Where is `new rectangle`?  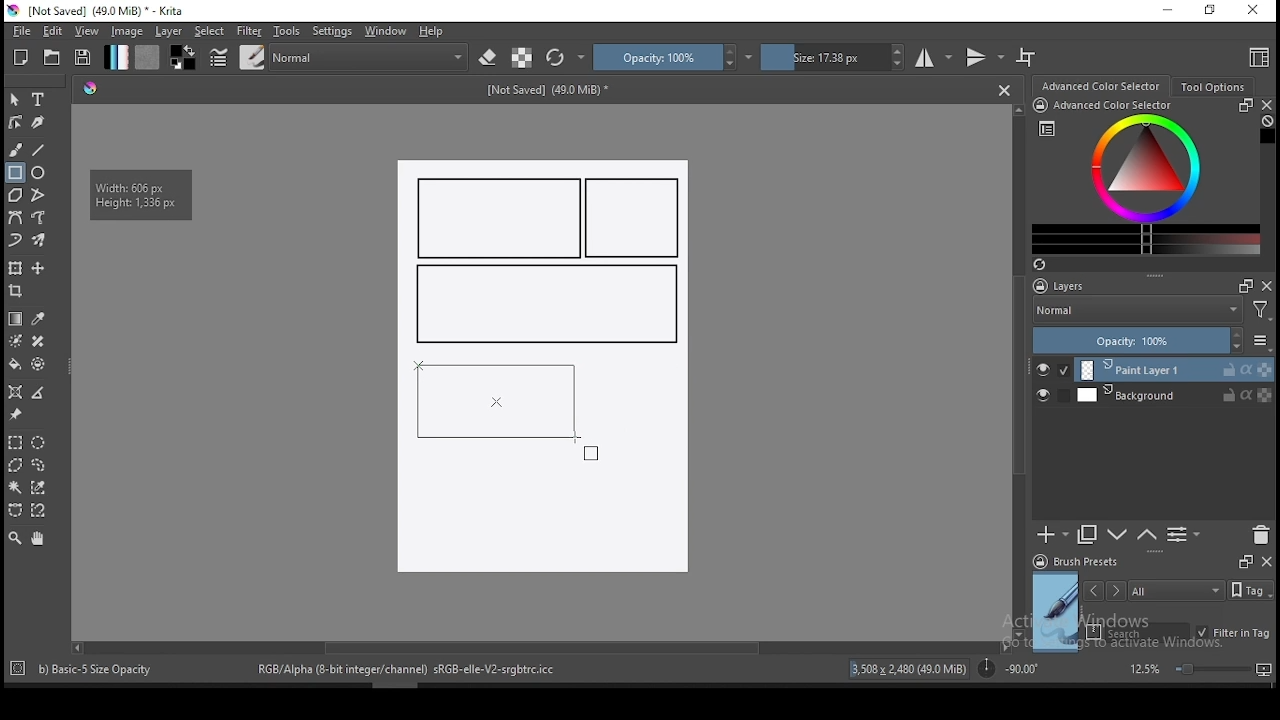
new rectangle is located at coordinates (500, 218).